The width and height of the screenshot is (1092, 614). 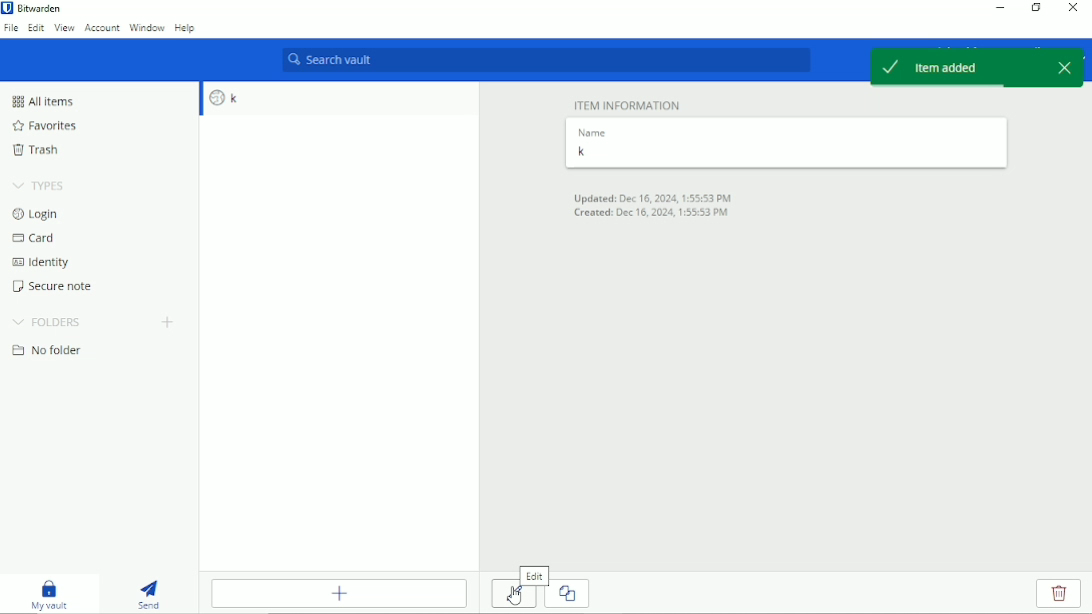 I want to click on View, so click(x=65, y=29).